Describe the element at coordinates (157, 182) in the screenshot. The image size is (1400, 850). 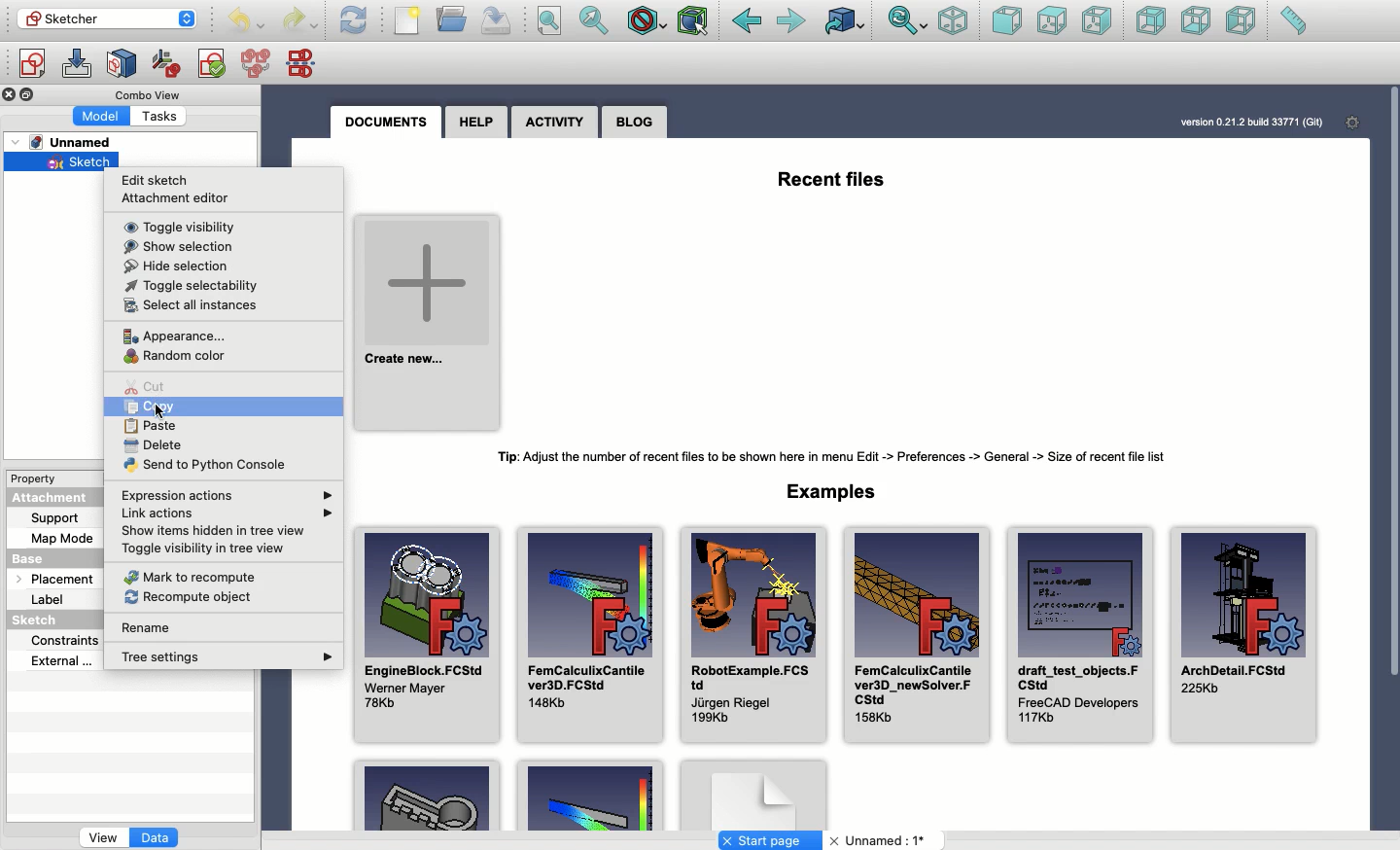
I see `Edit sketch` at that location.